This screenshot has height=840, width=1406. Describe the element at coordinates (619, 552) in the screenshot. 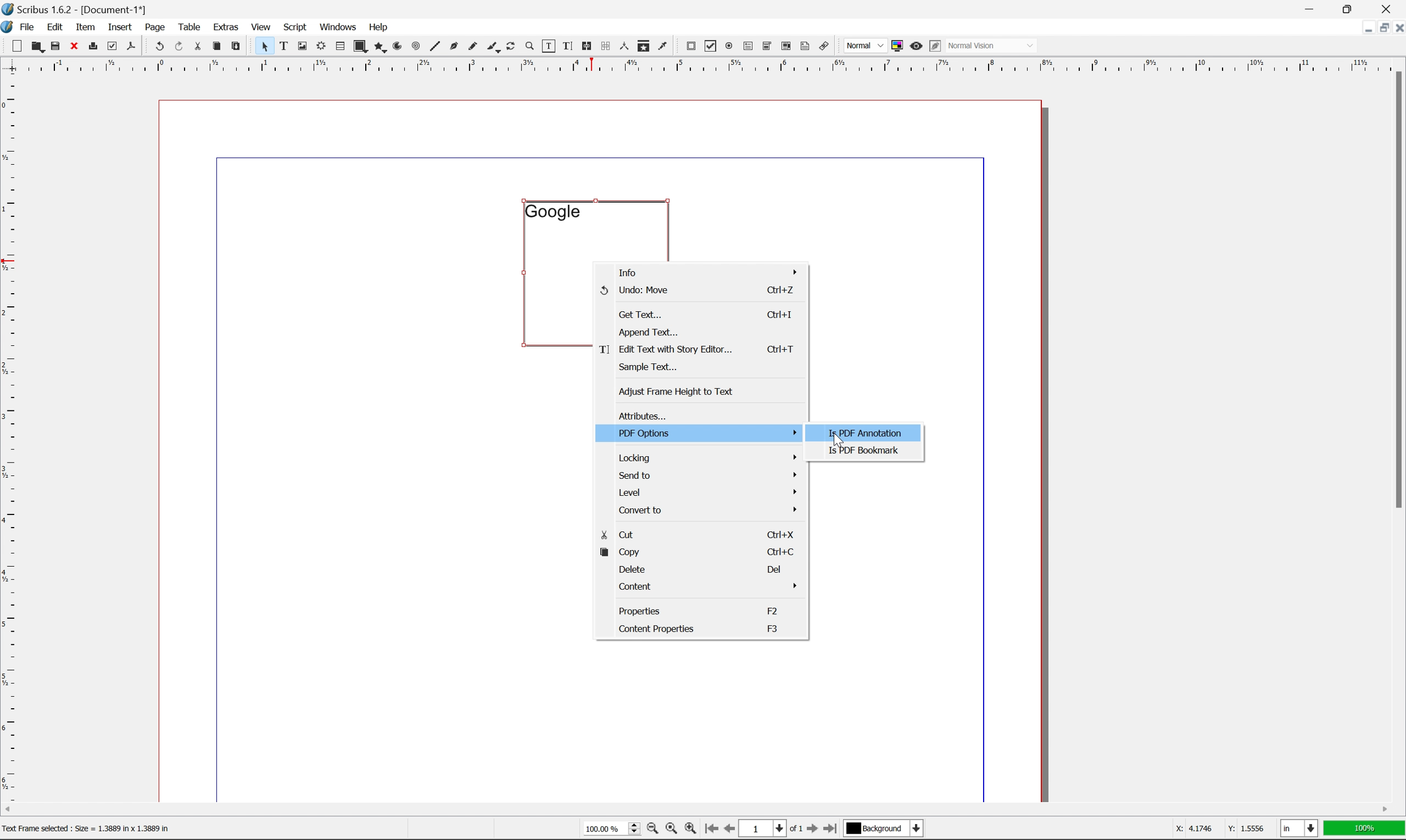

I see `copy` at that location.